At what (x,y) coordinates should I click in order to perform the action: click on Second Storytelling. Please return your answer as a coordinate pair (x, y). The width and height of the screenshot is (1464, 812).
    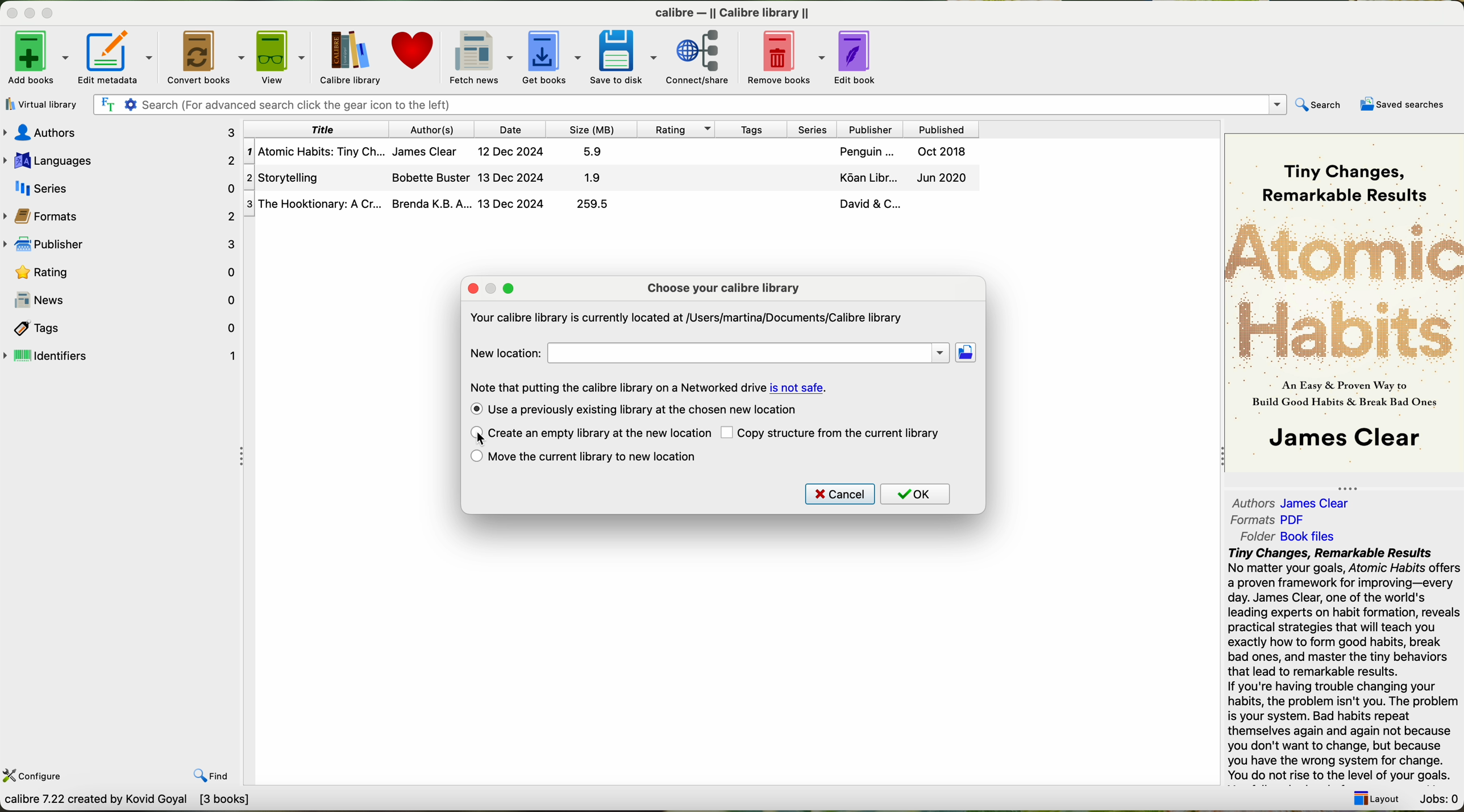
    Looking at the image, I should click on (613, 178).